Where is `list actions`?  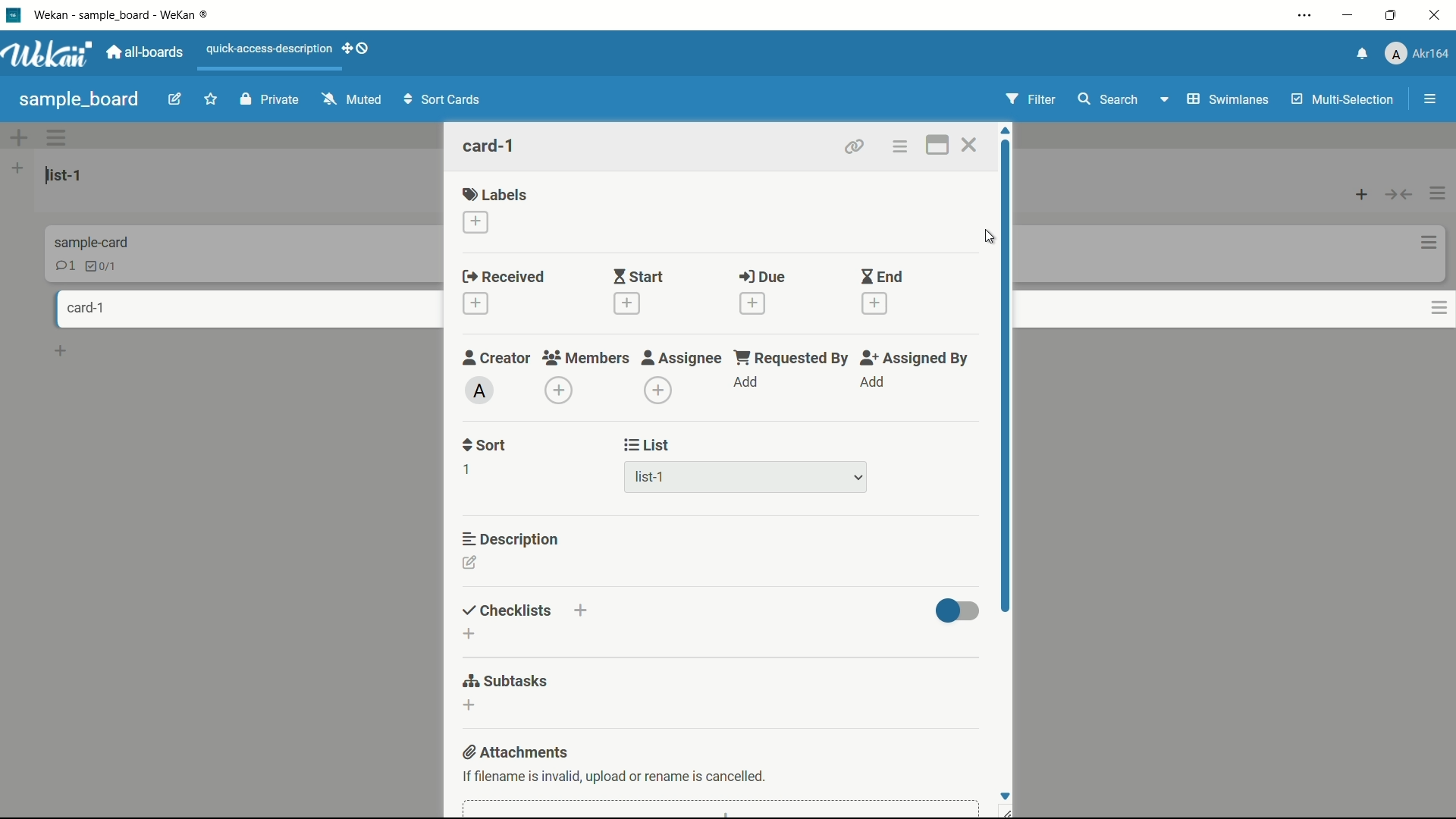 list actions is located at coordinates (1357, 189).